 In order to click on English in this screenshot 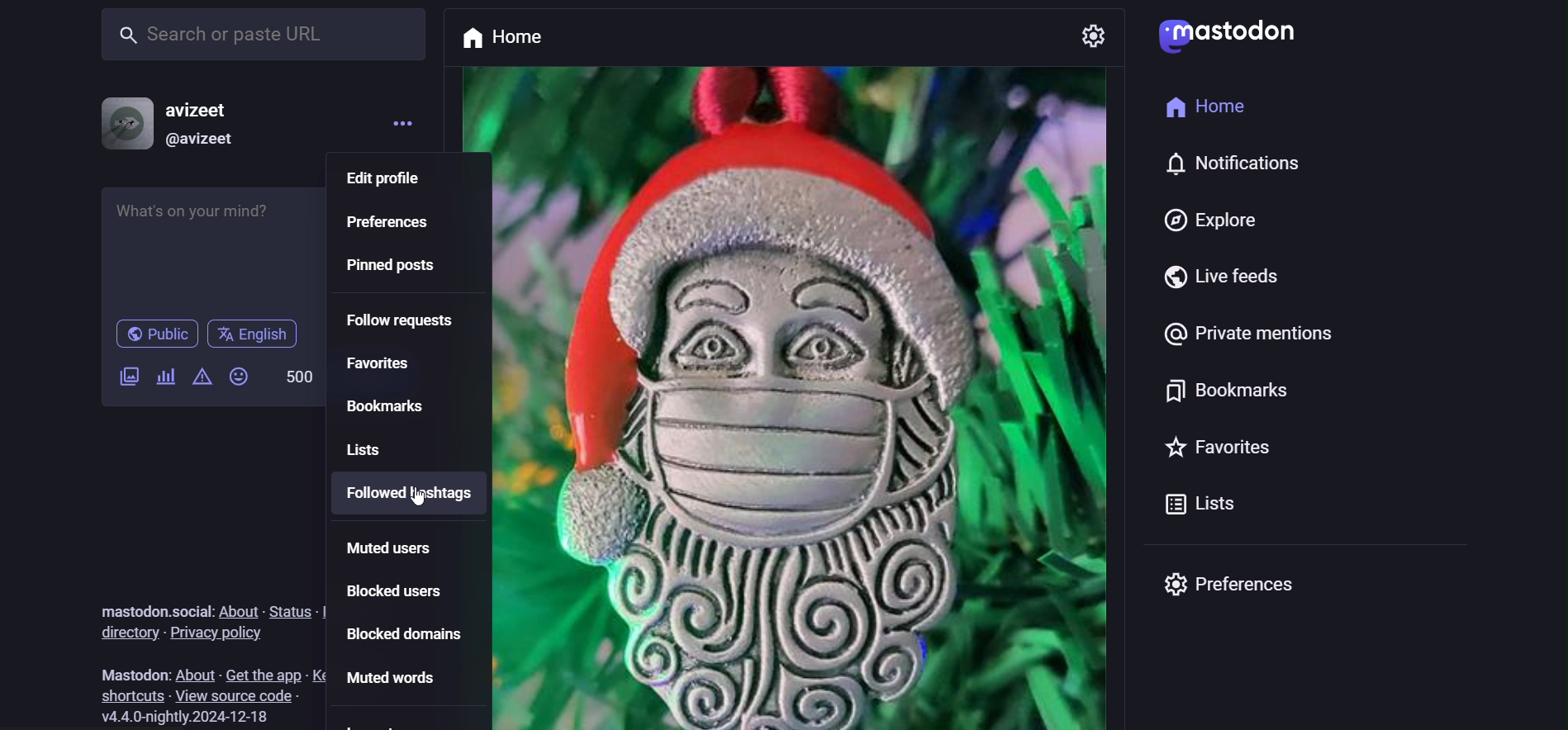, I will do `click(259, 334)`.